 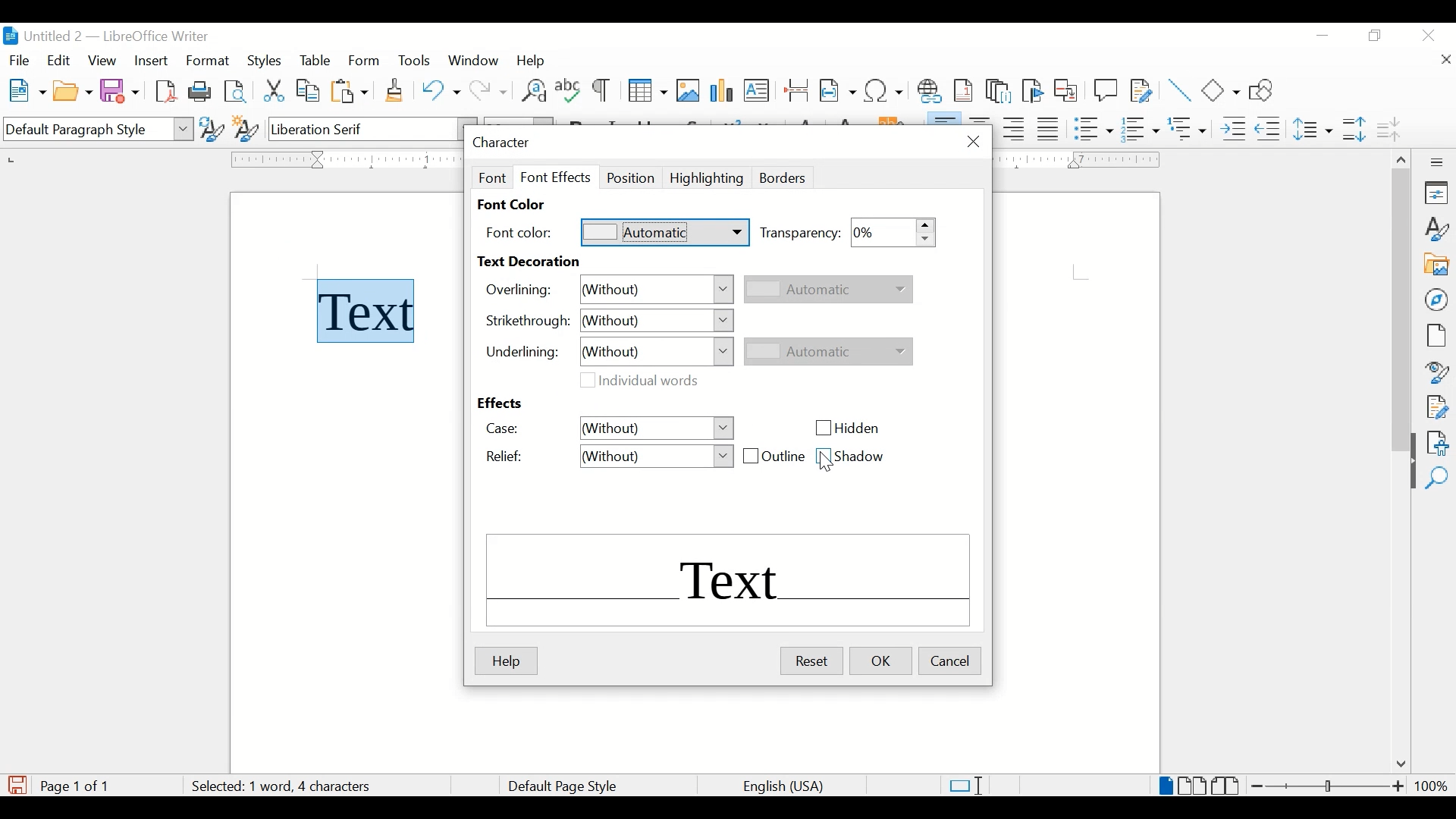 I want to click on decrease indent, so click(x=1269, y=128).